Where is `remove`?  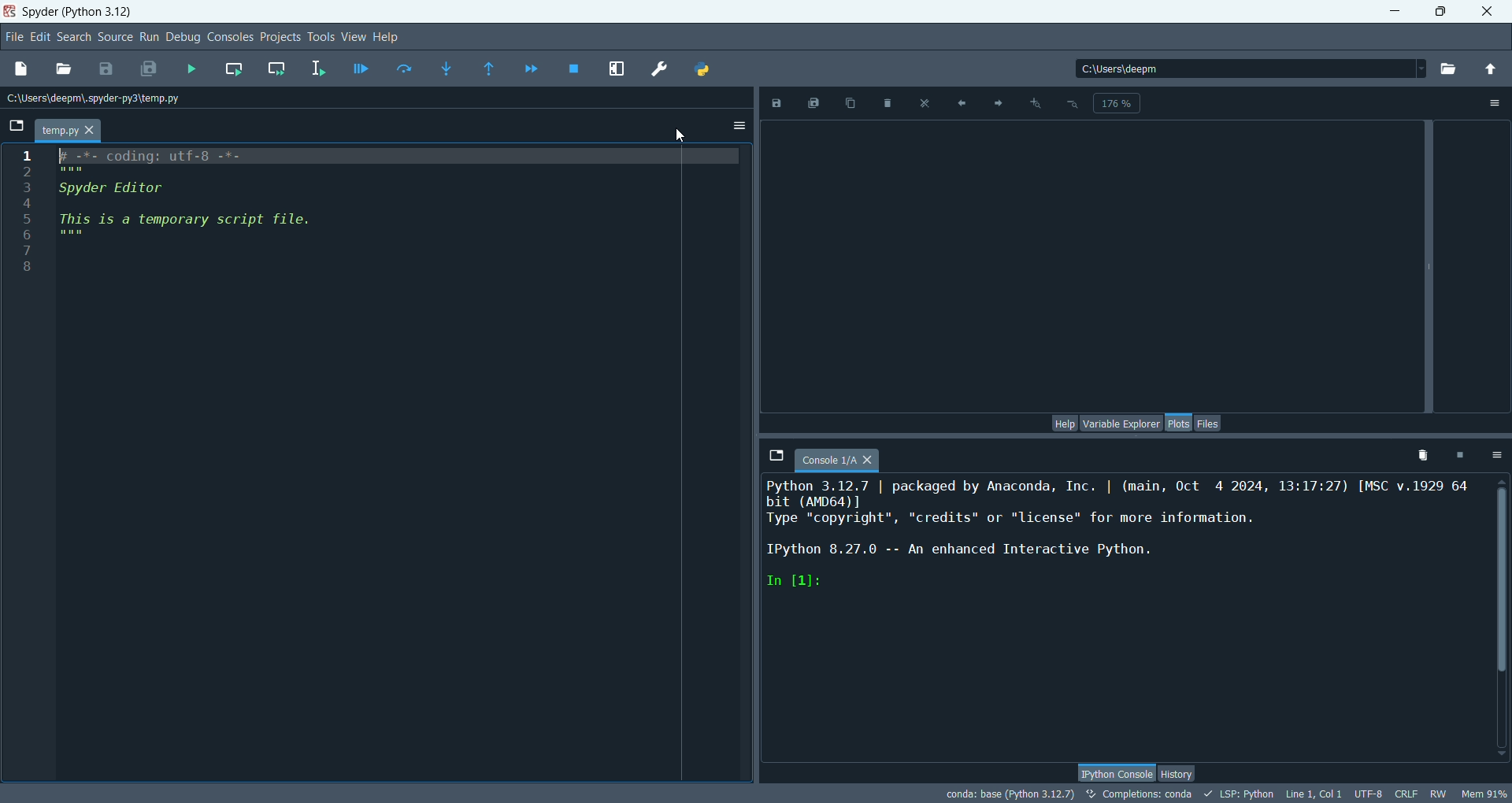
remove is located at coordinates (1419, 458).